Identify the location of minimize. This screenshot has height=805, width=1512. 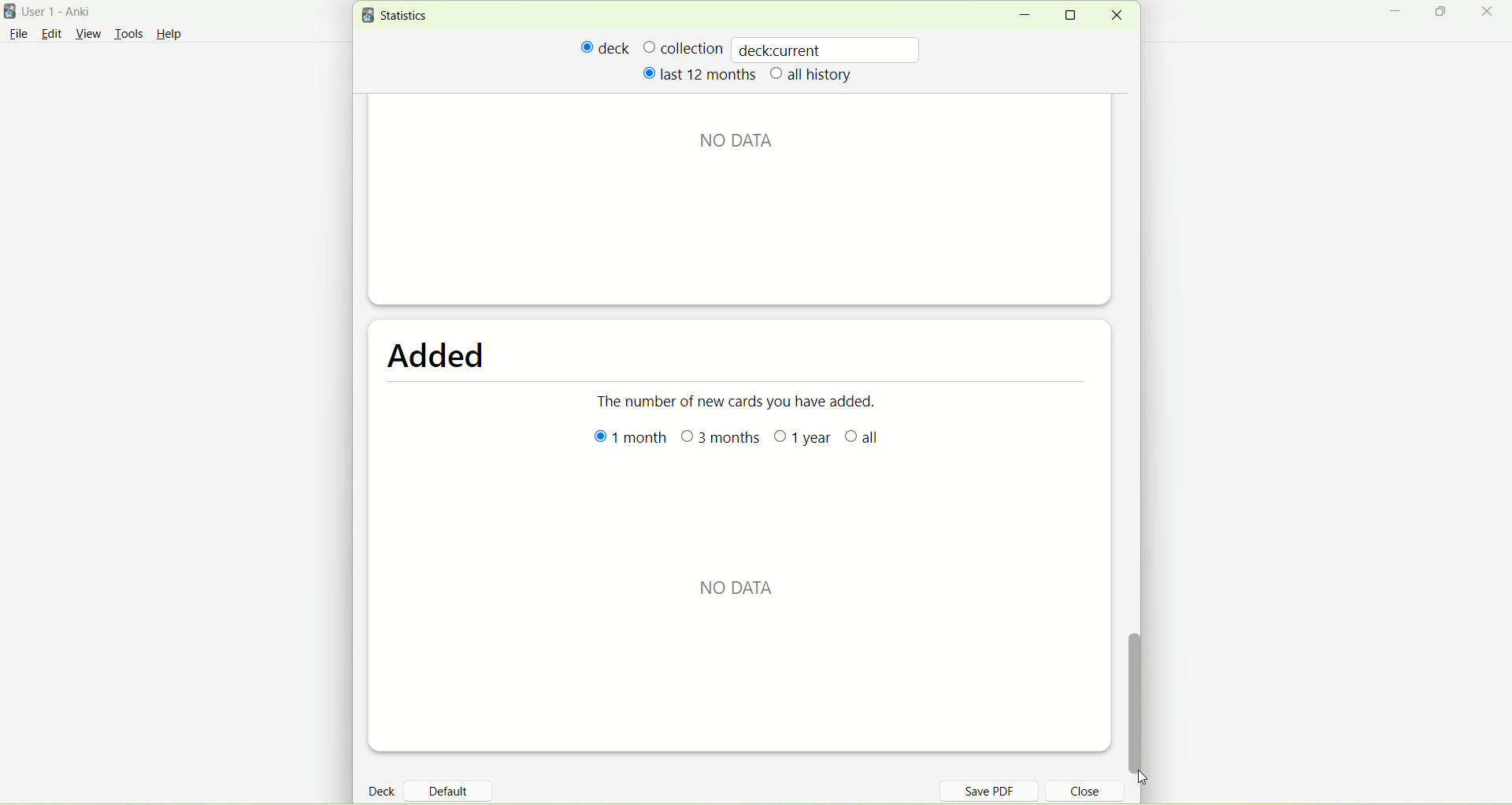
(1399, 13).